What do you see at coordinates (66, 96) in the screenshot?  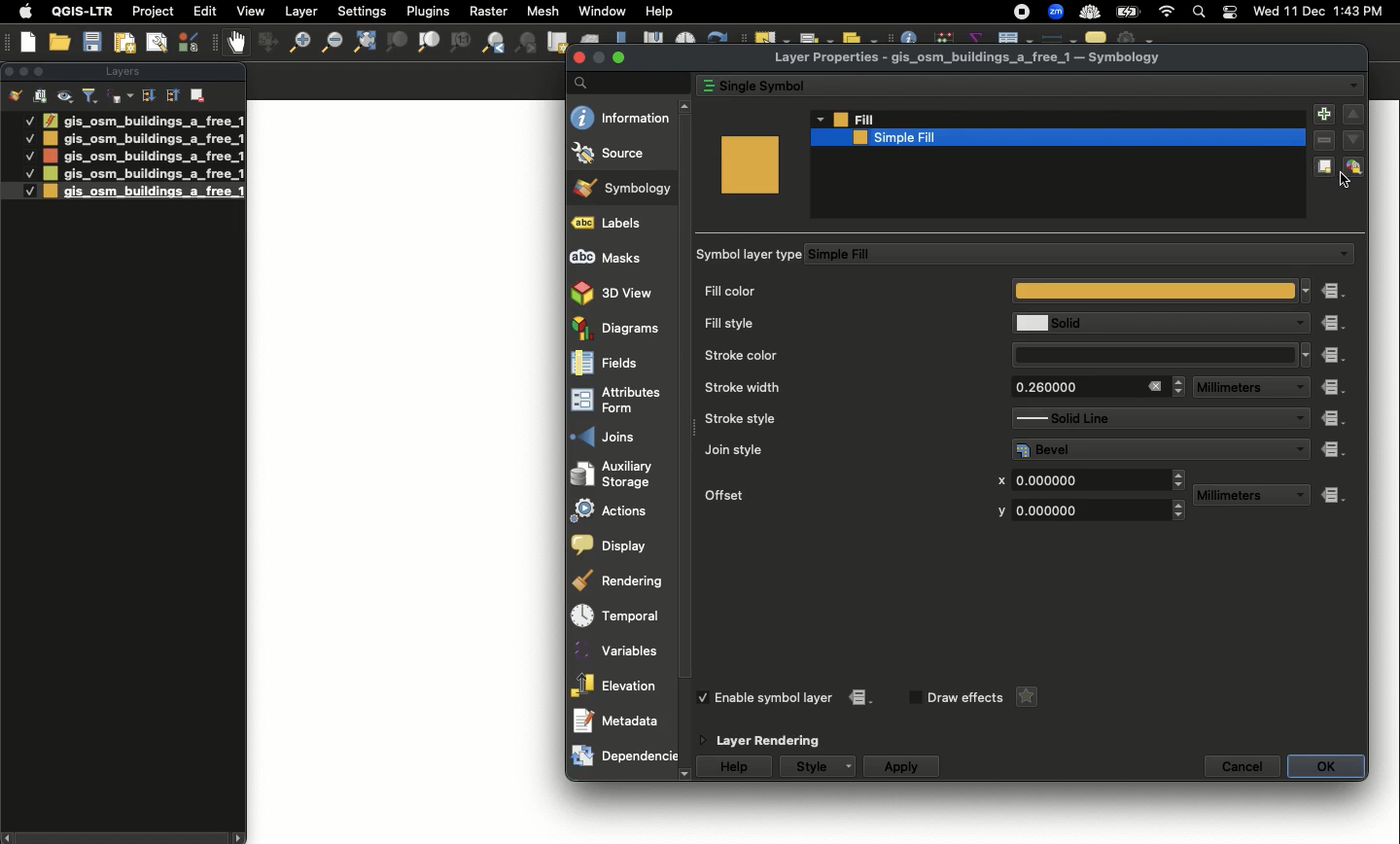 I see `Manage map themes` at bounding box center [66, 96].